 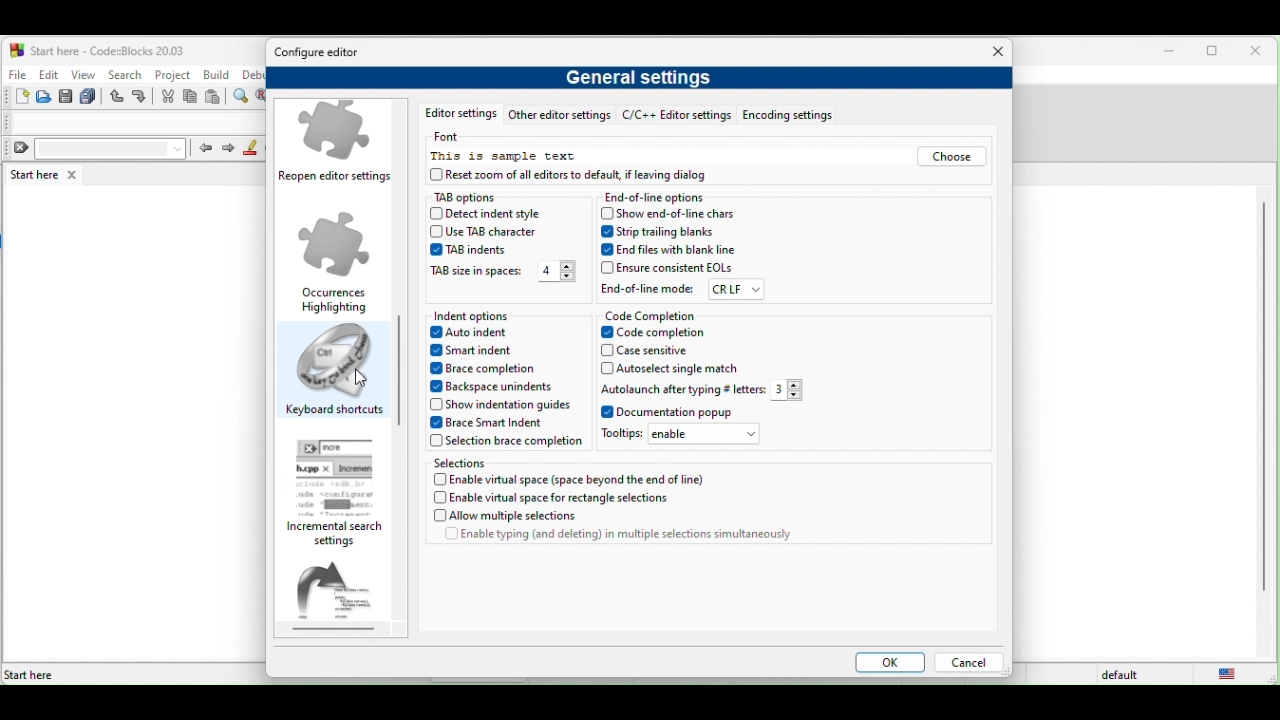 What do you see at coordinates (66, 97) in the screenshot?
I see `save` at bounding box center [66, 97].